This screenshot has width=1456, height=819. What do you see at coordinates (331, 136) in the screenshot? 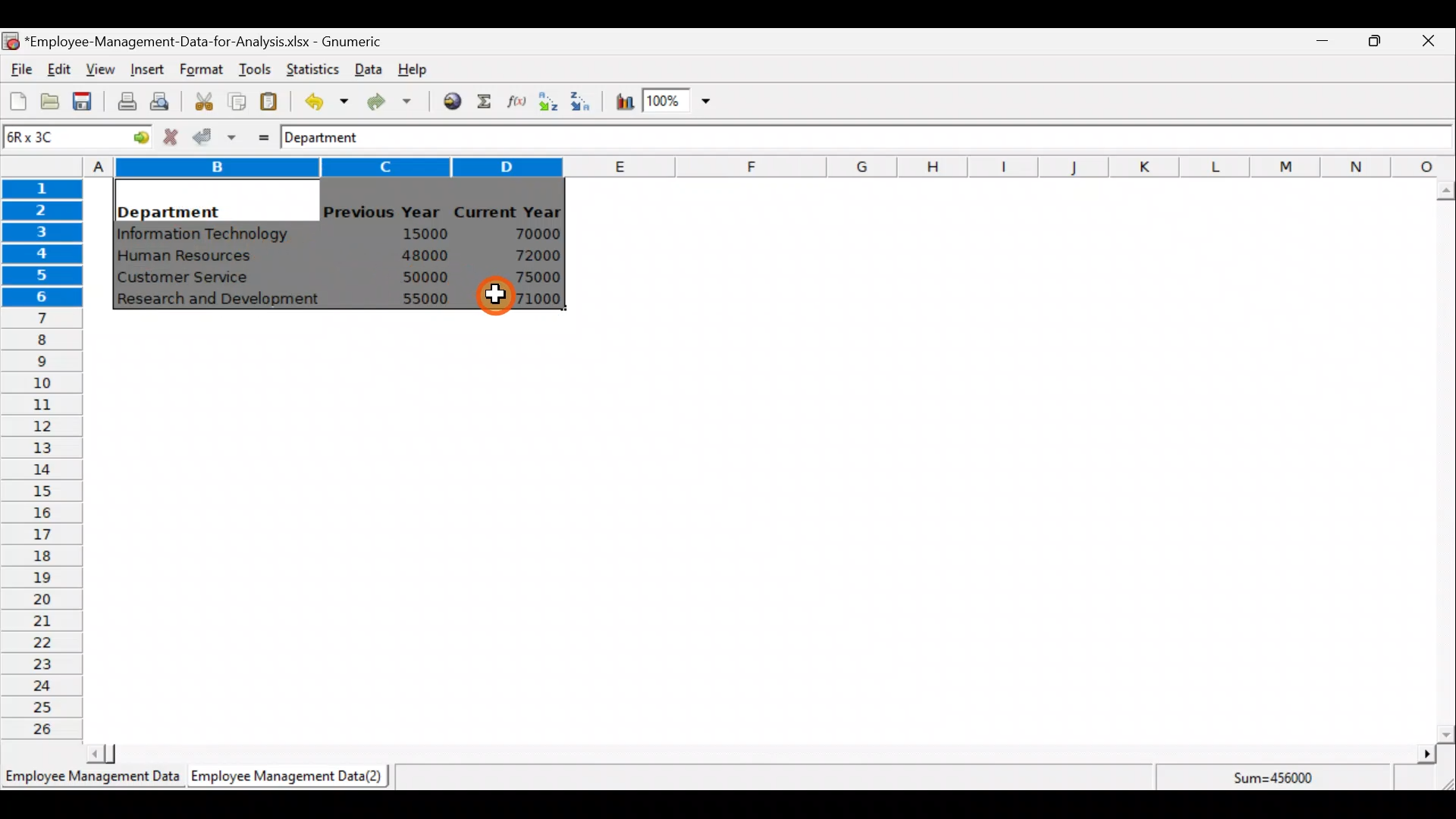
I see `Department` at bounding box center [331, 136].